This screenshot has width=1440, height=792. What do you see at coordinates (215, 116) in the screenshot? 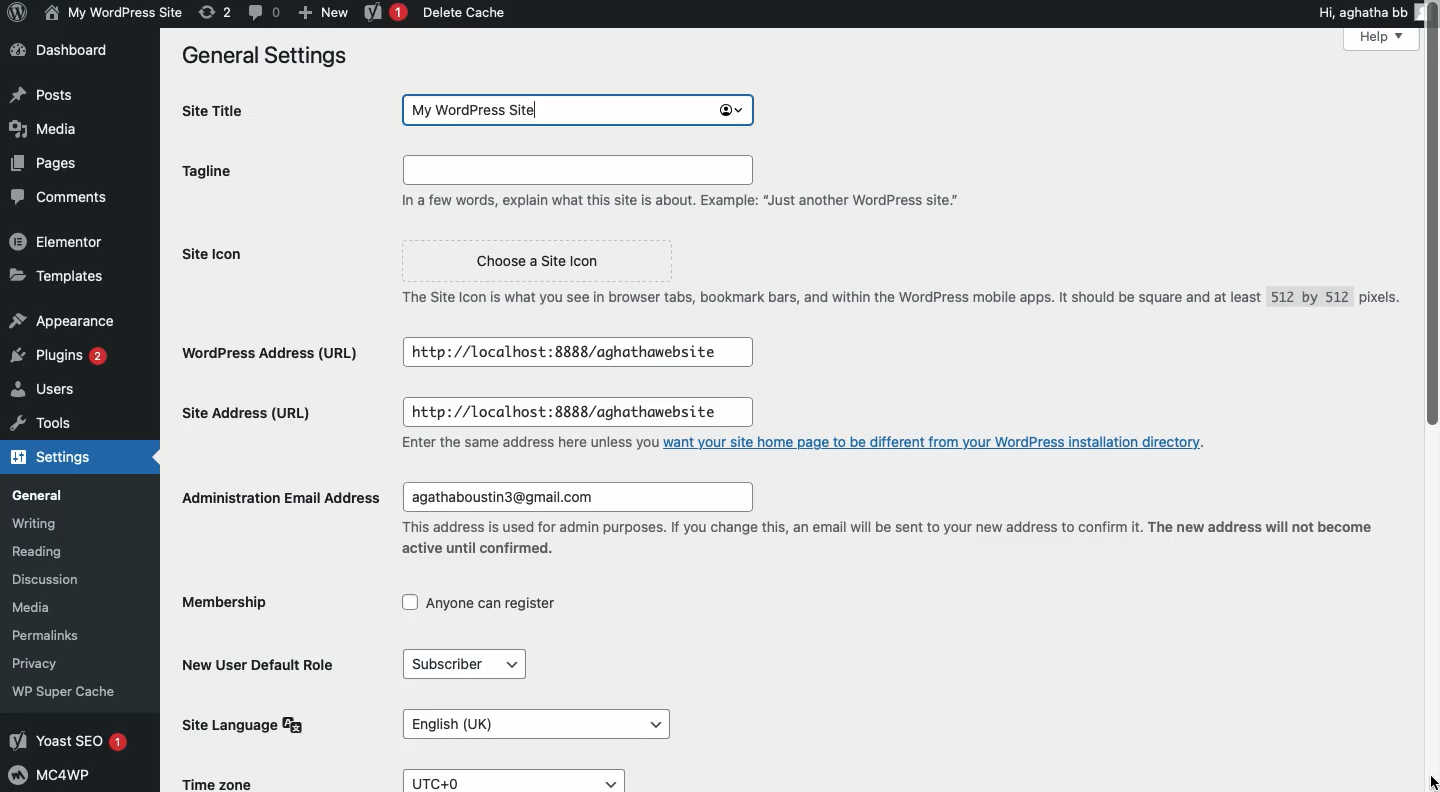
I see `Site title` at bounding box center [215, 116].